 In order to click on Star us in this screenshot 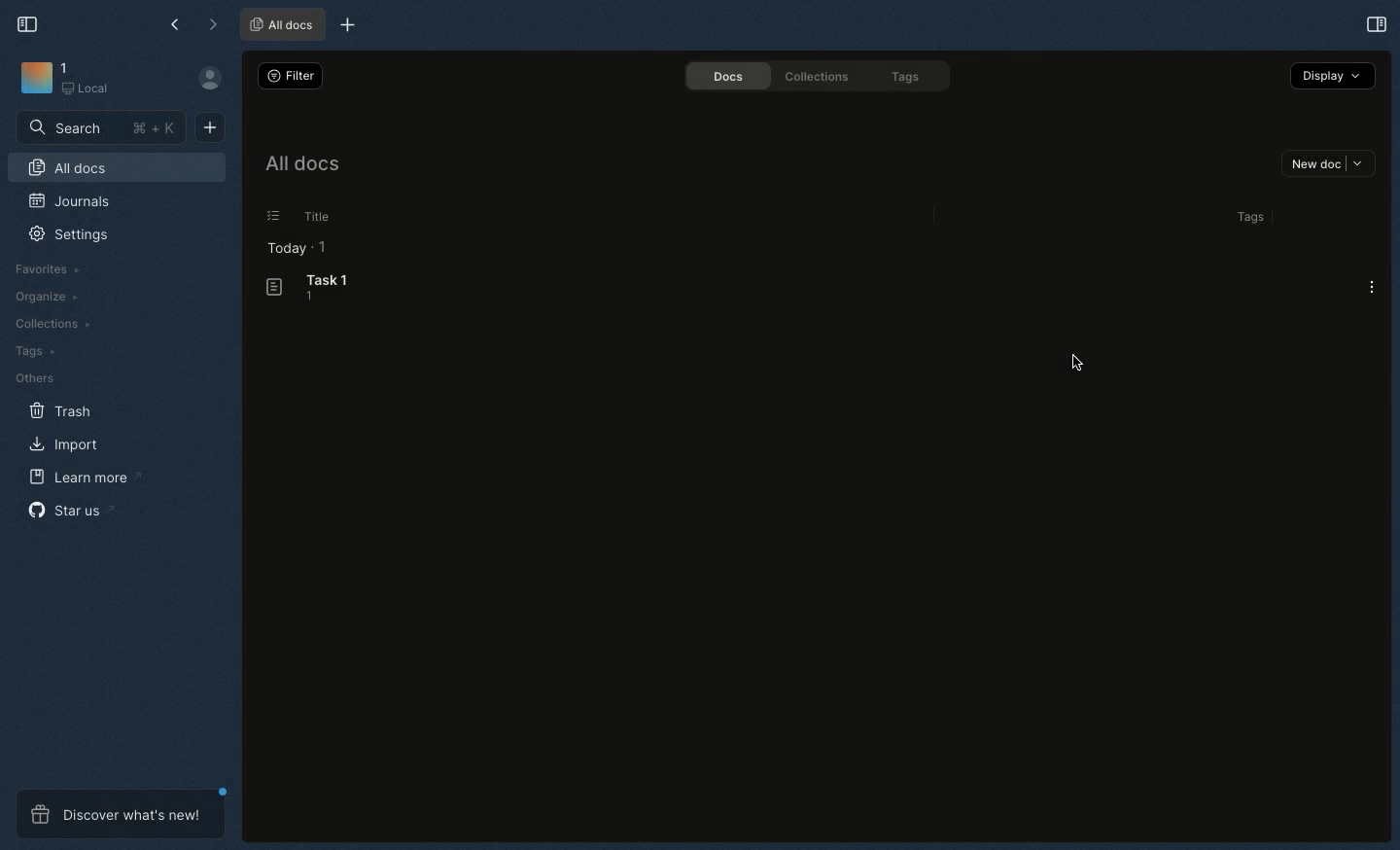, I will do `click(68, 509)`.